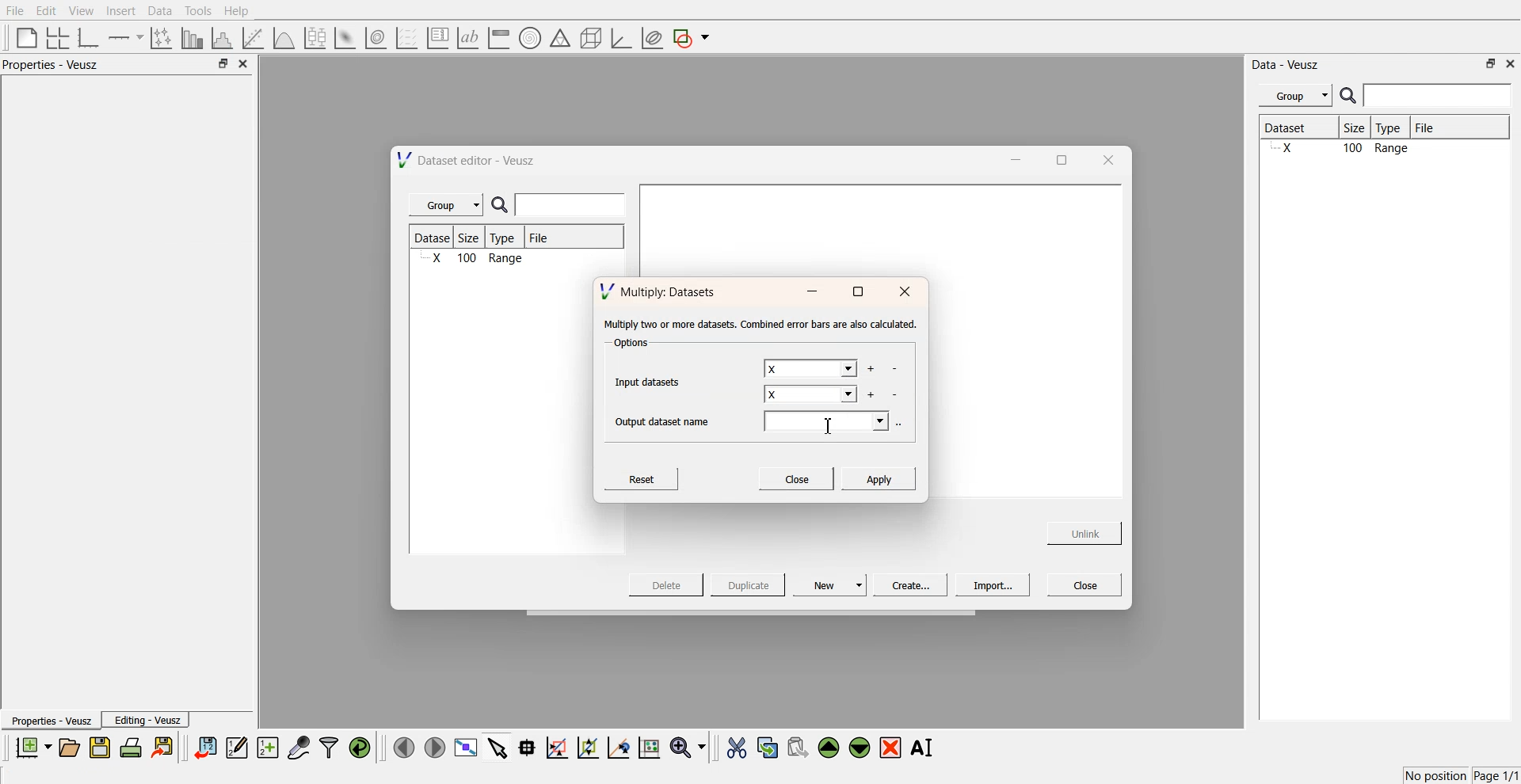 Image resolution: width=1521 pixels, height=784 pixels. I want to click on ternary shapes, so click(558, 40).